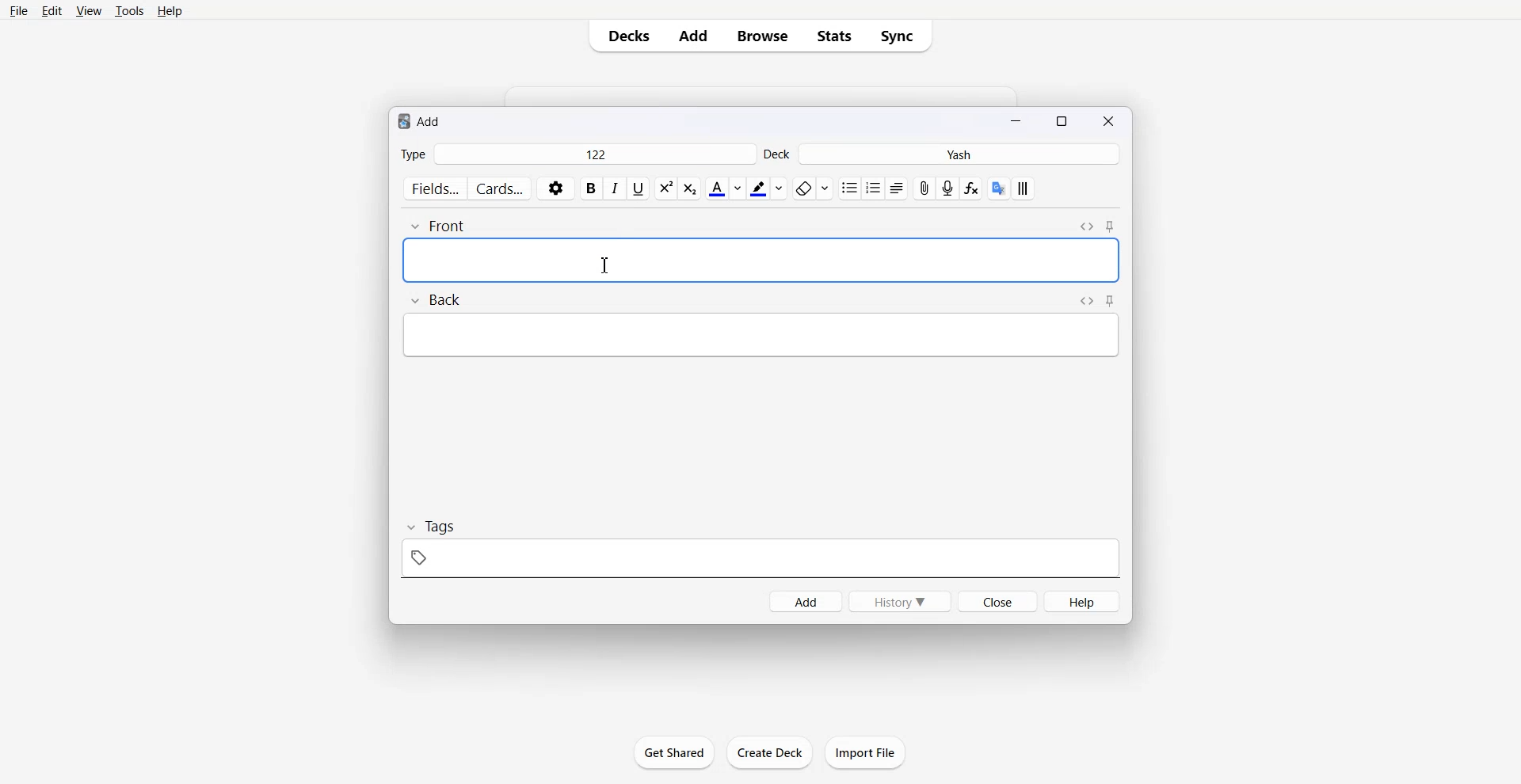 The image size is (1521, 784). Describe the element at coordinates (51, 10) in the screenshot. I see `Edit` at that location.